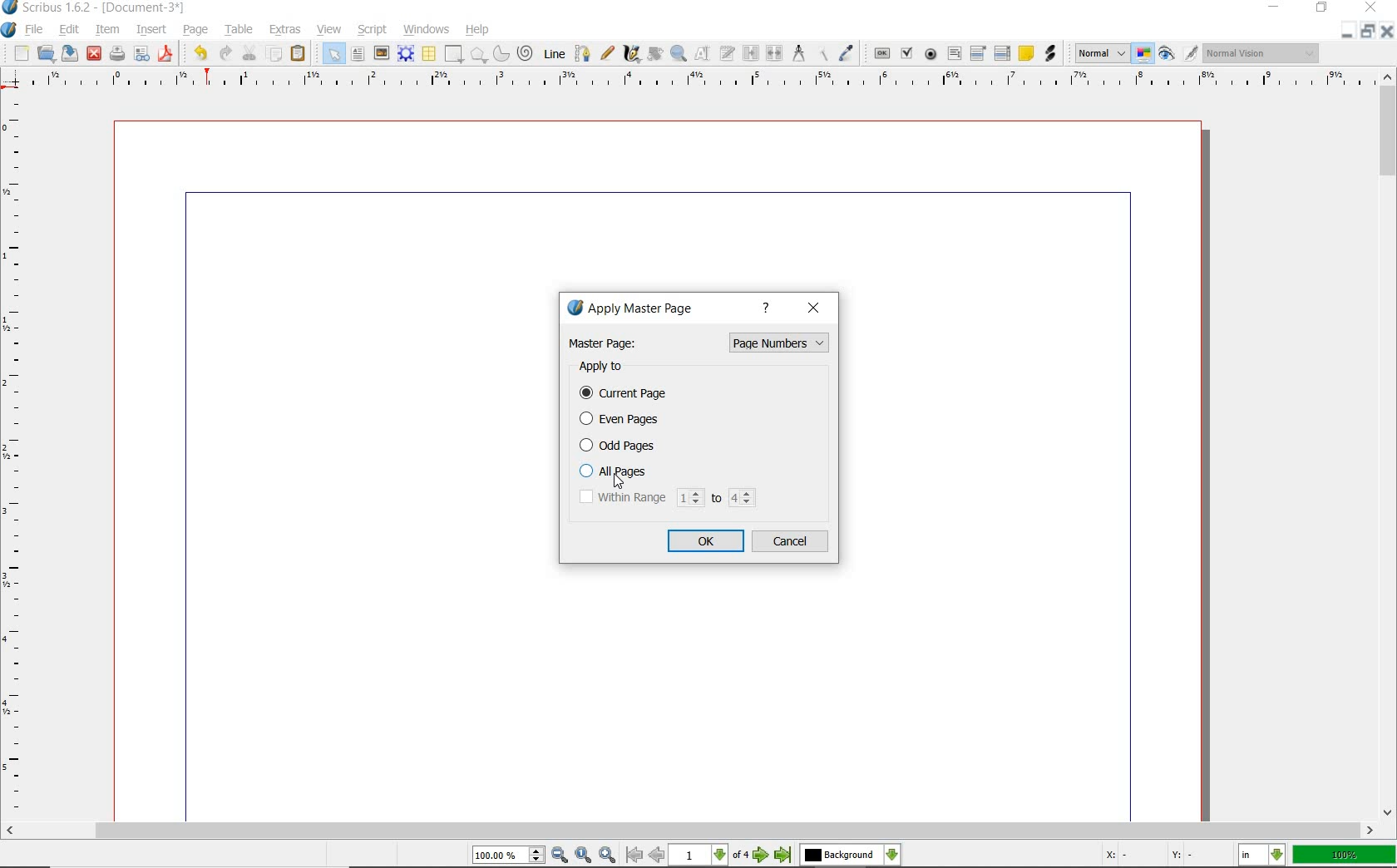 This screenshot has width=1397, height=868. I want to click on select image preview mode: Normal, so click(1100, 52).